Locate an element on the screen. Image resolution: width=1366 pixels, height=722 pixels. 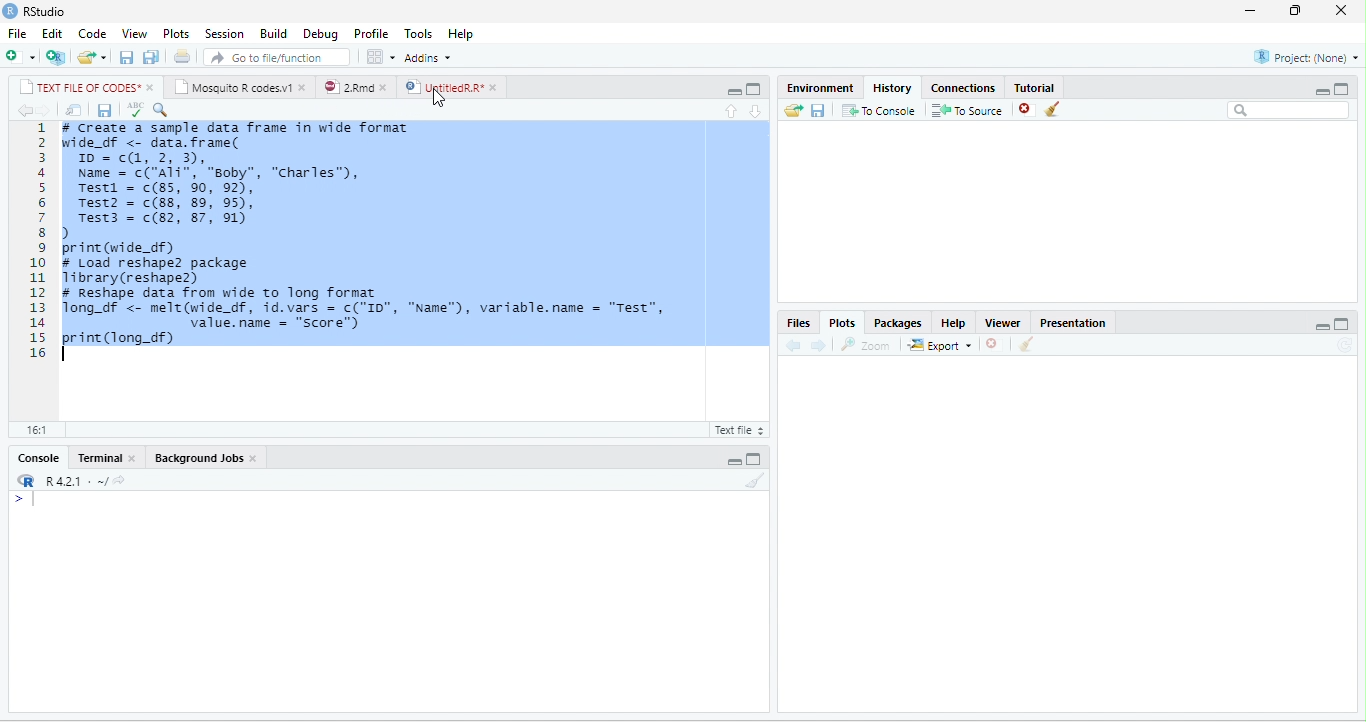
back is located at coordinates (794, 346).